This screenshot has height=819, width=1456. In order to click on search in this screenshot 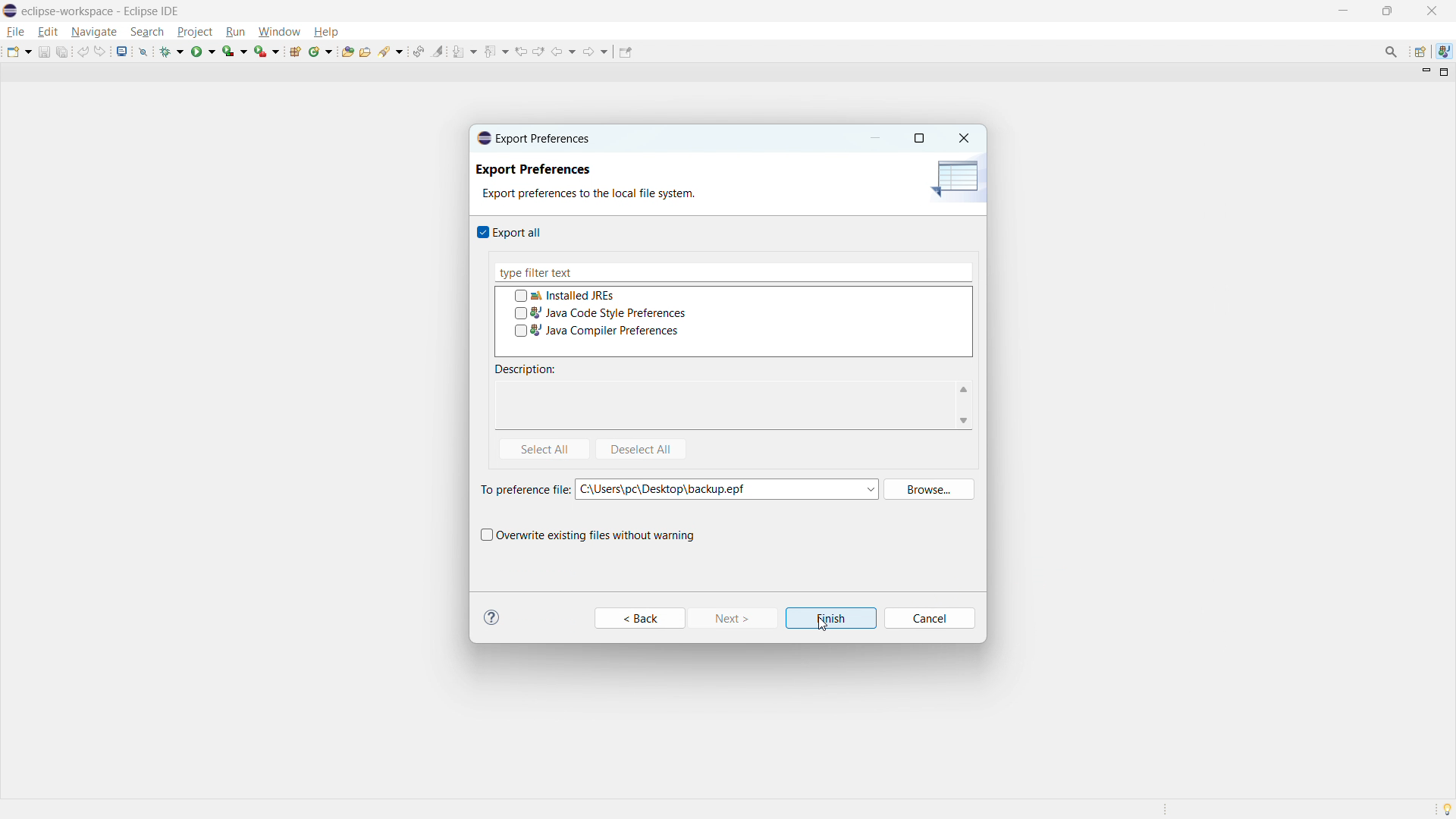, I will do `click(391, 50)`.